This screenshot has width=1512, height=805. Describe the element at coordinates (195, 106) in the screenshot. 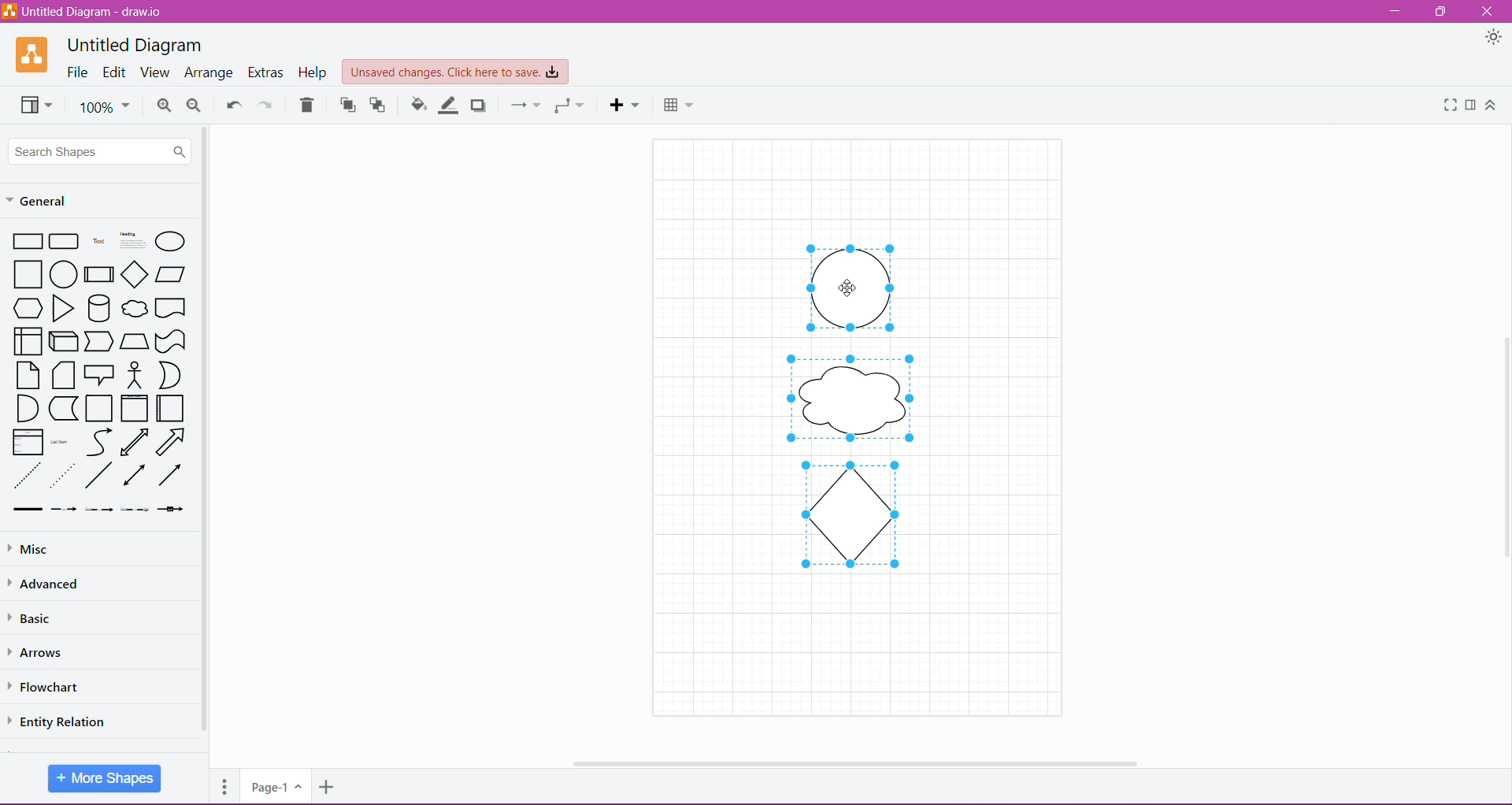

I see `Zoom Out` at that location.